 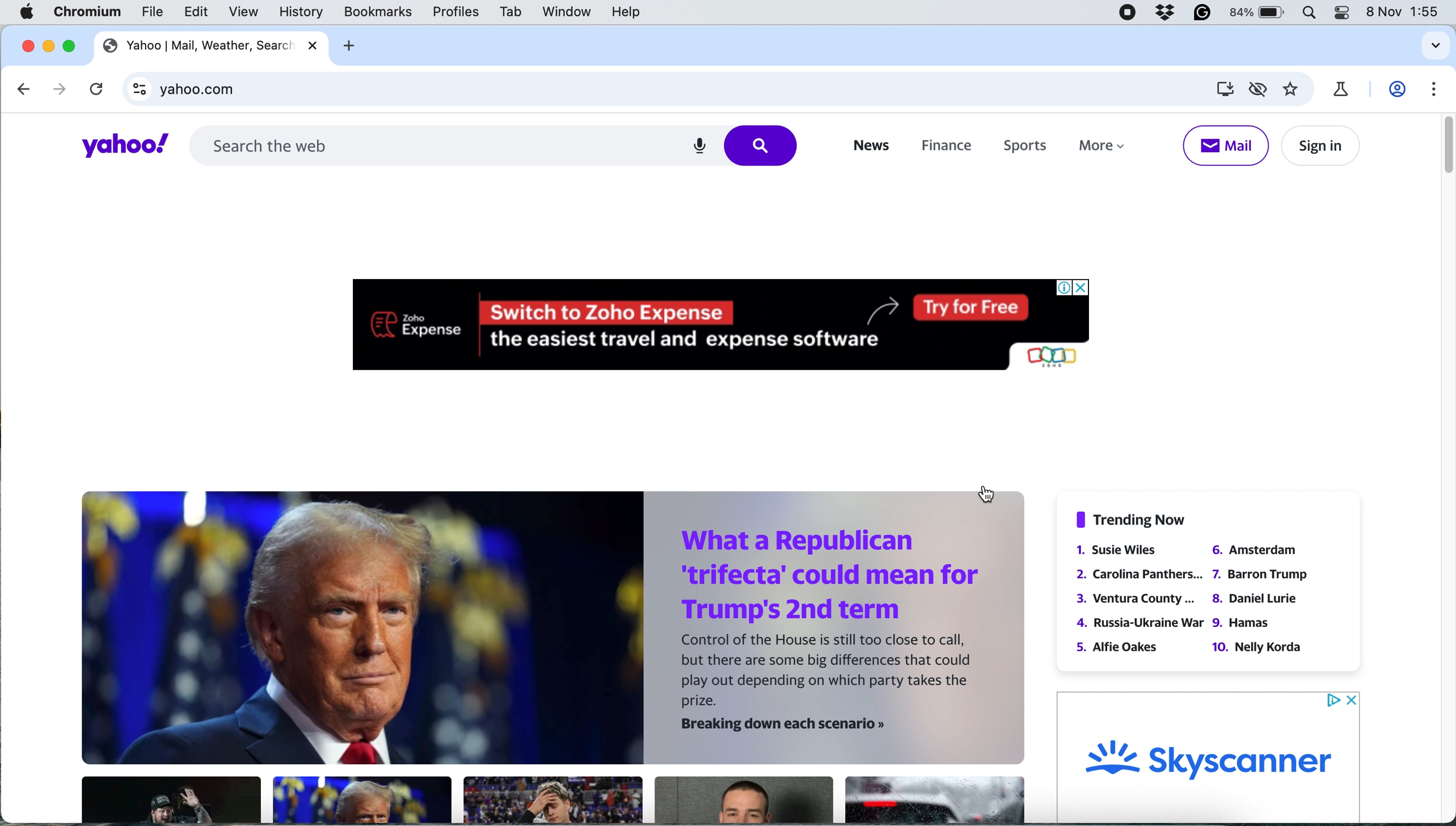 I want to click on speech search, so click(x=699, y=147).